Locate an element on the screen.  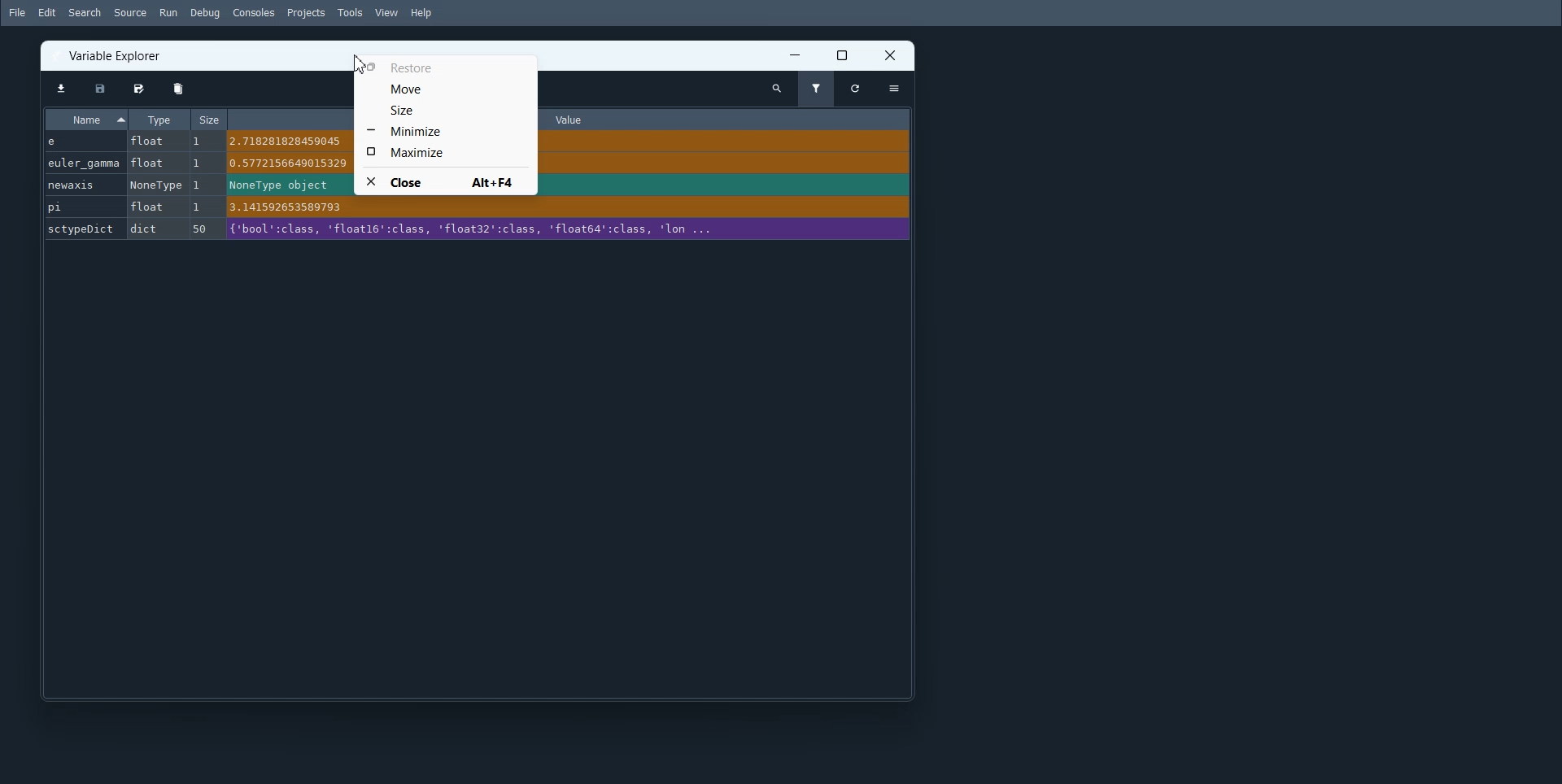
Remove all variables is located at coordinates (177, 88).